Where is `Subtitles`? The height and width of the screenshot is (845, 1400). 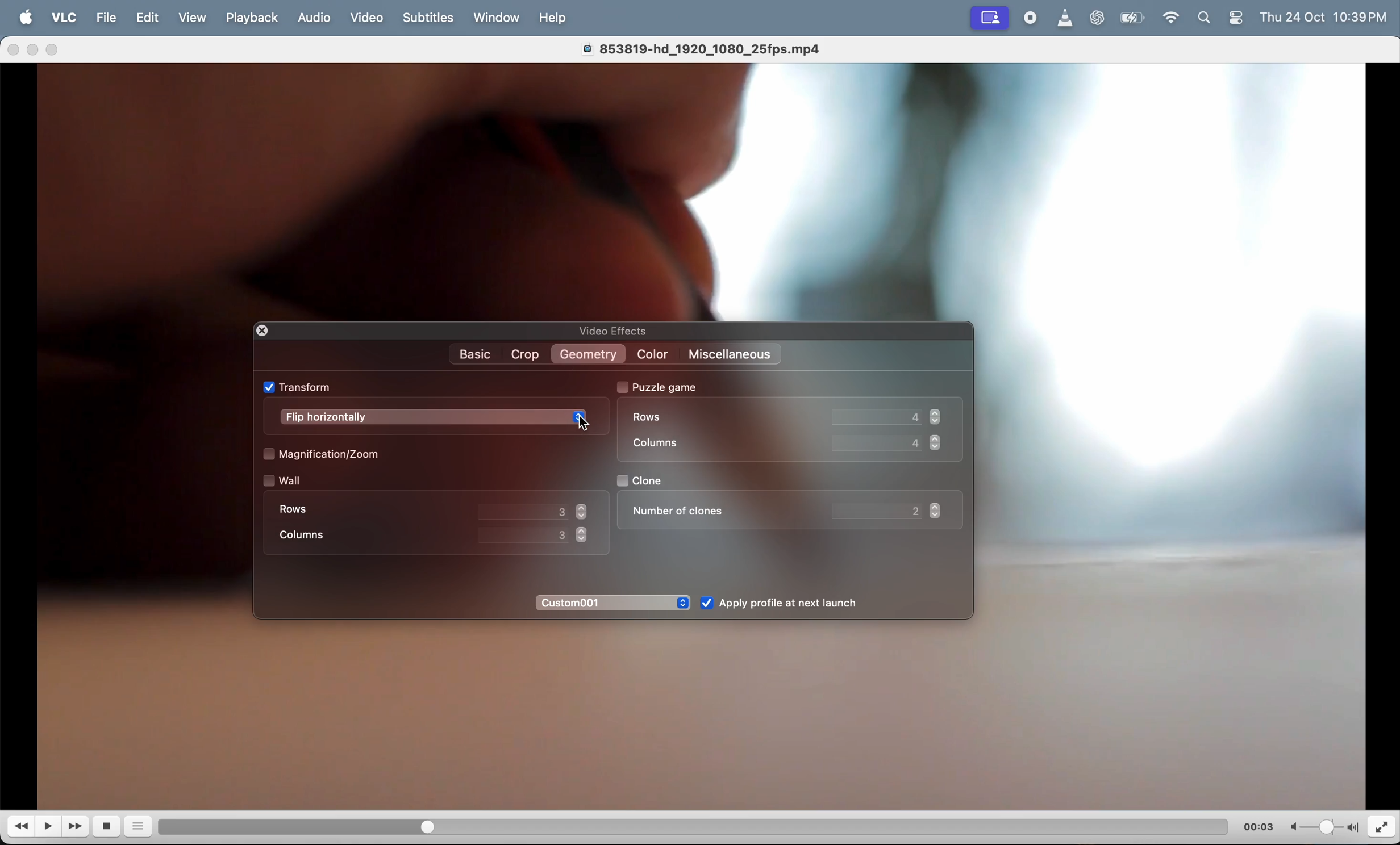
Subtitles is located at coordinates (431, 18).